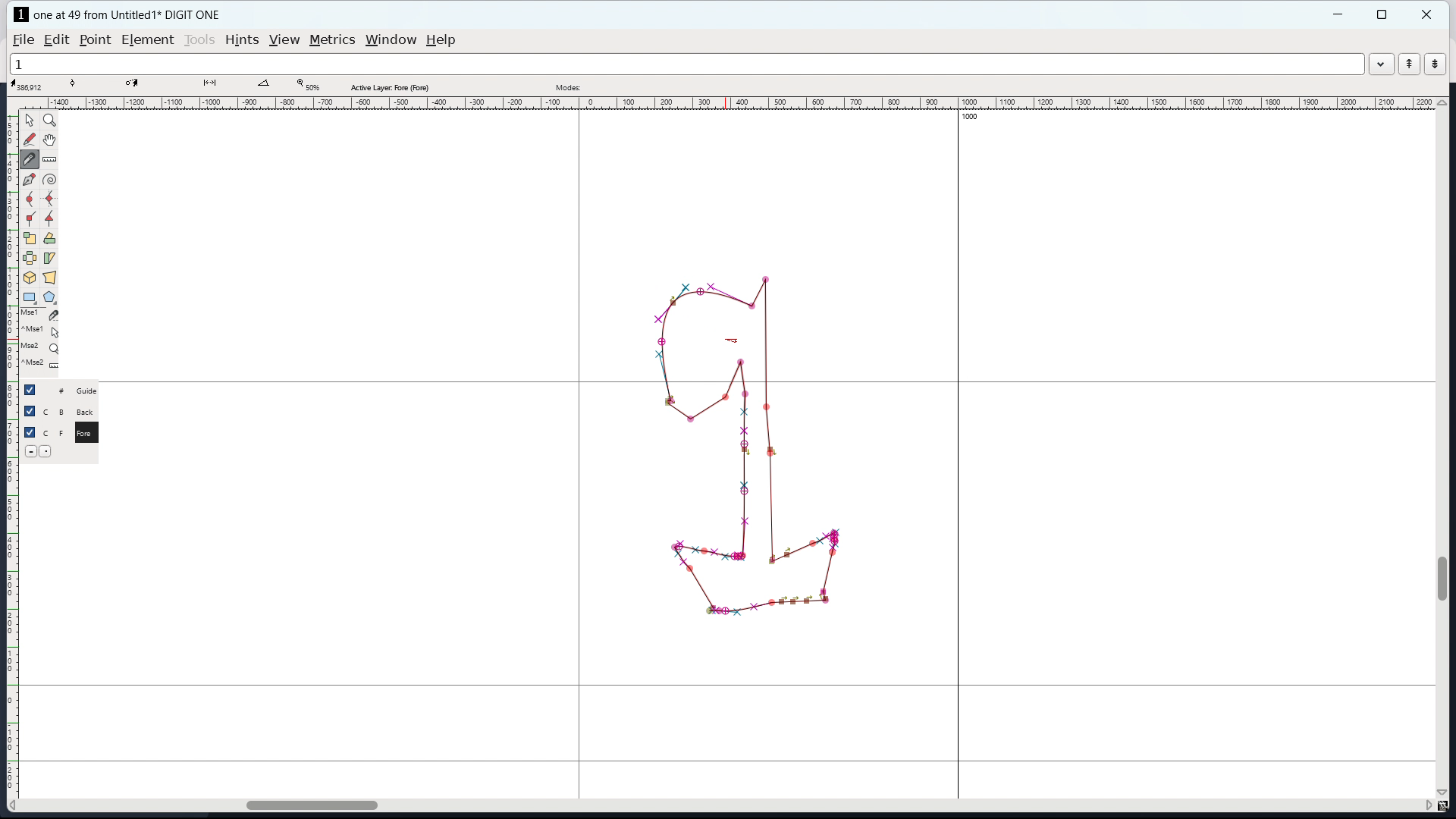 The image size is (1456, 819). Describe the element at coordinates (53, 431) in the screenshot. I see `C F` at that location.